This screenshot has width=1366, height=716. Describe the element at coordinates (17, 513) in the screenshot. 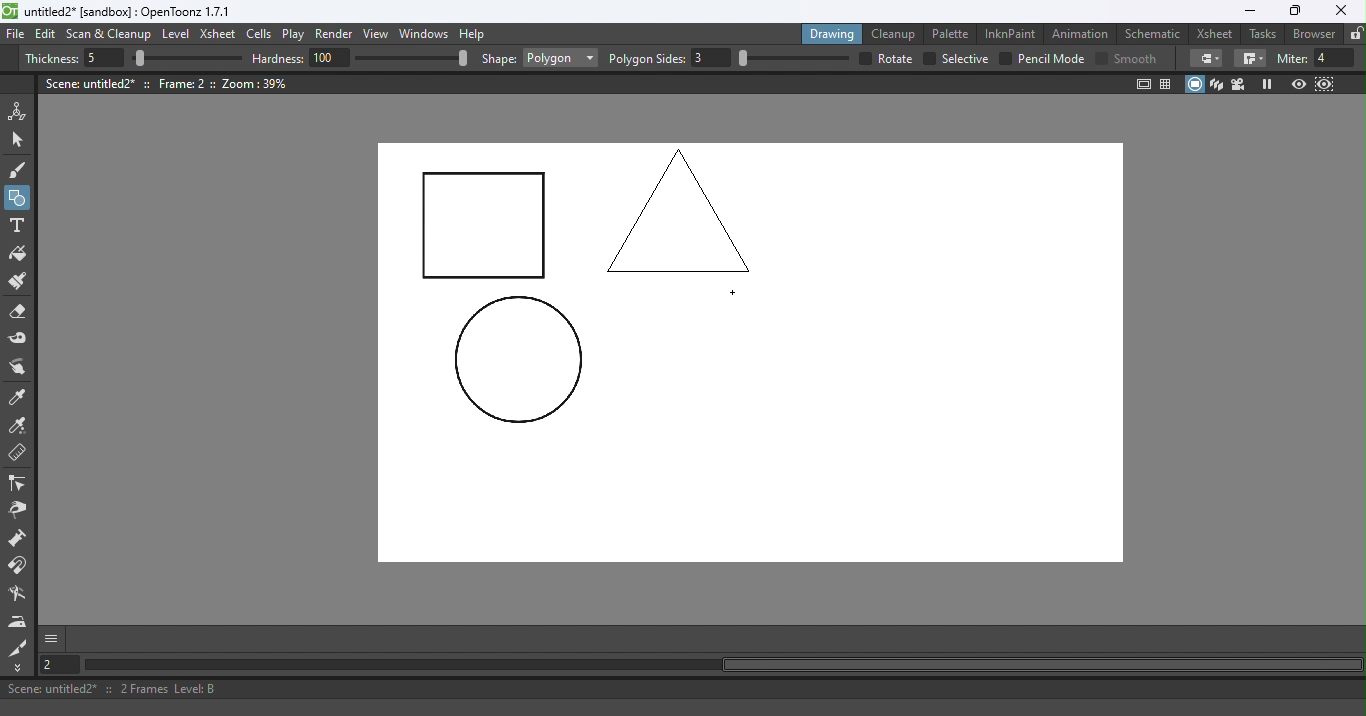

I see `Pinch tool` at that location.